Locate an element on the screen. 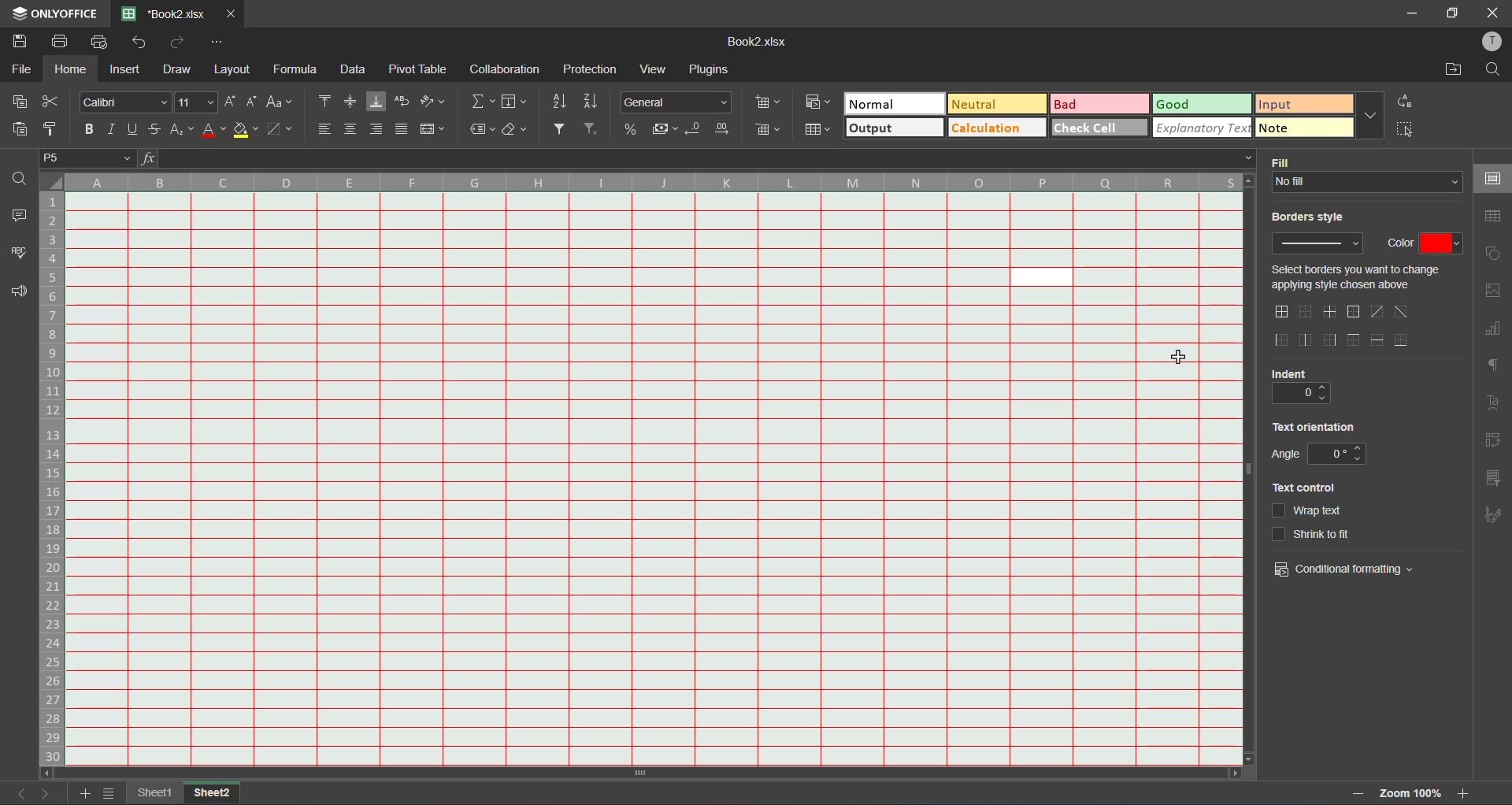 The image size is (1512, 805). decrement size is located at coordinates (252, 103).